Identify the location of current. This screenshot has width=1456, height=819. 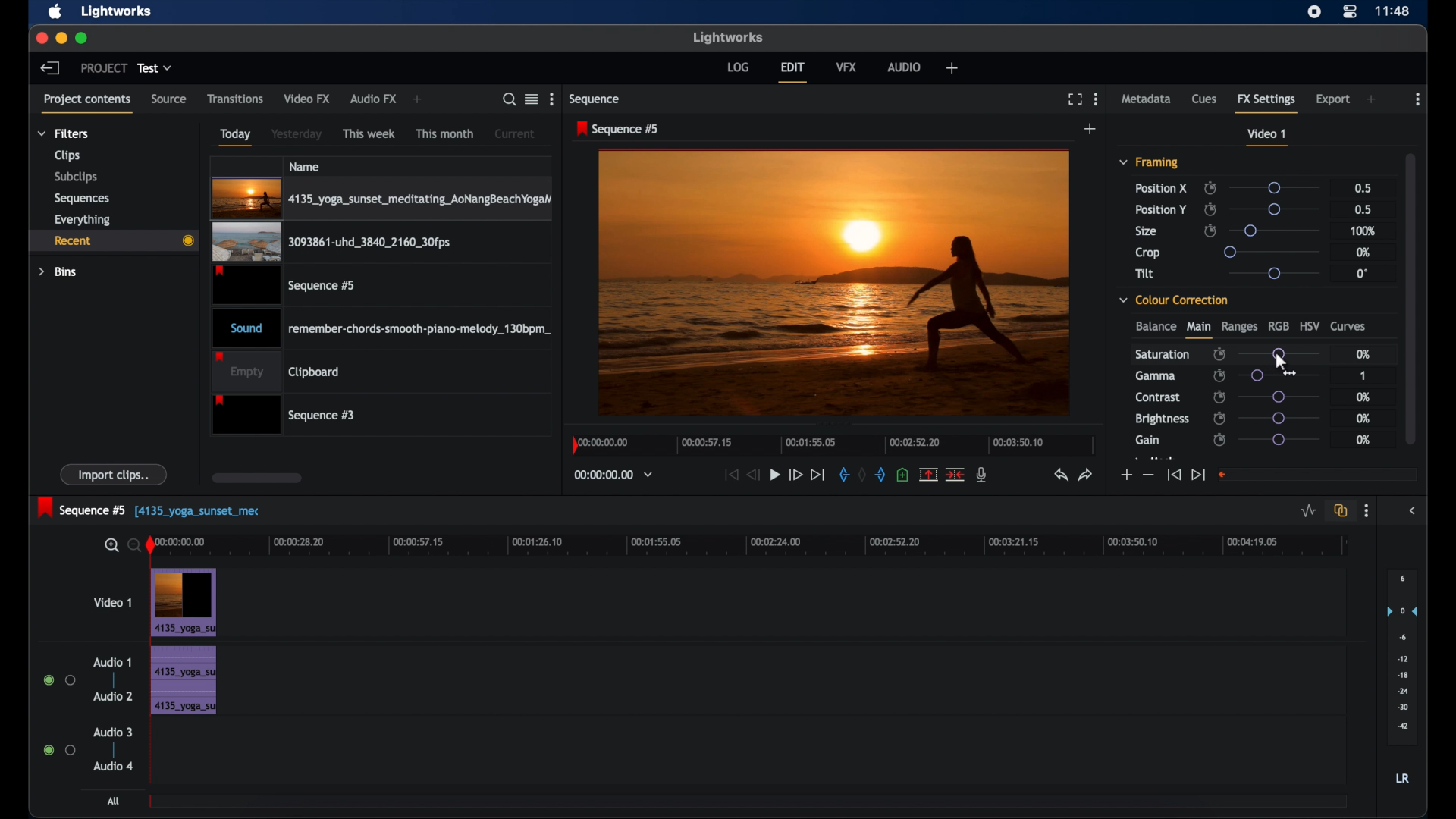
(515, 133).